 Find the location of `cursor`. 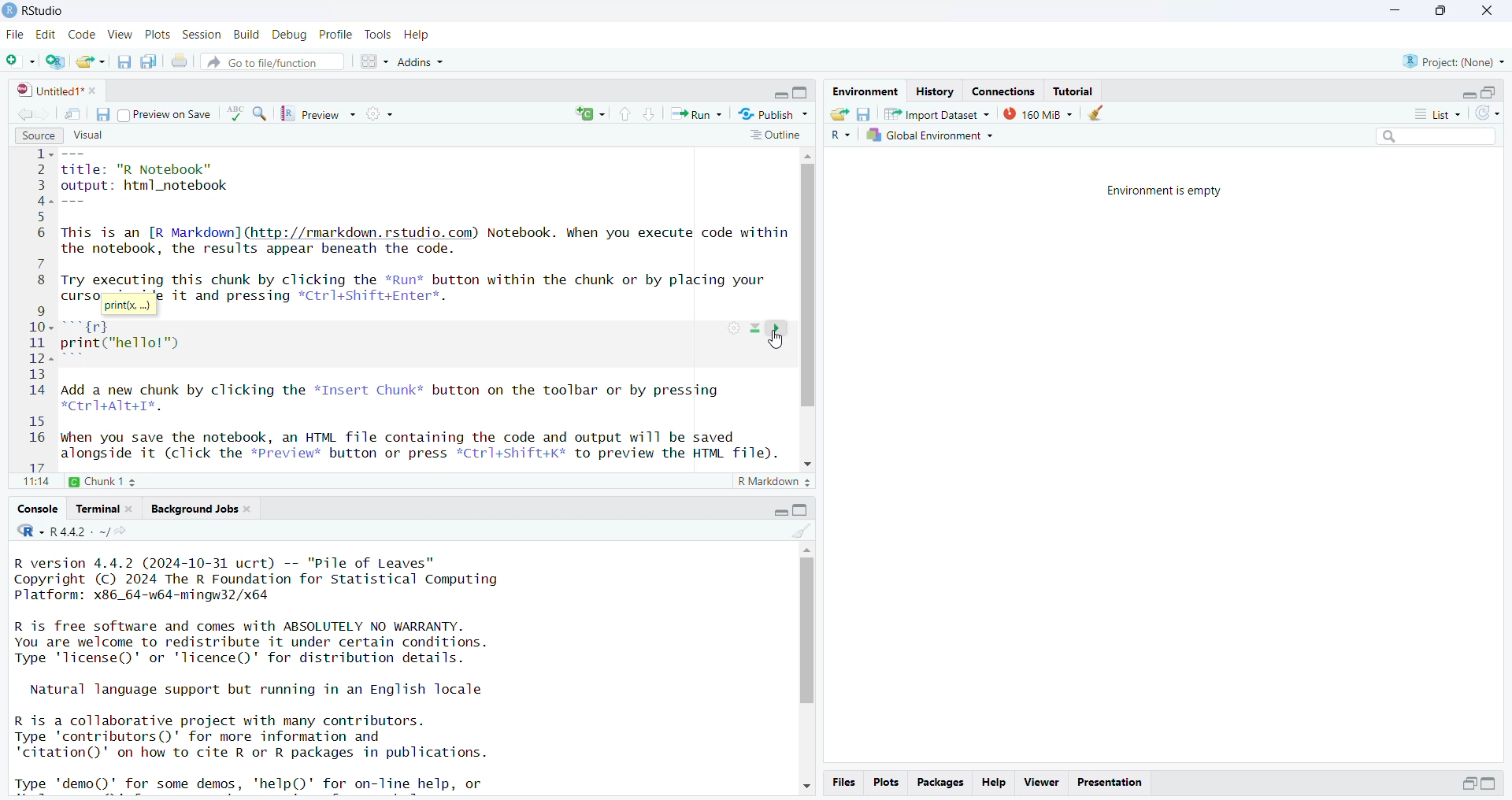

cursor is located at coordinates (776, 343).